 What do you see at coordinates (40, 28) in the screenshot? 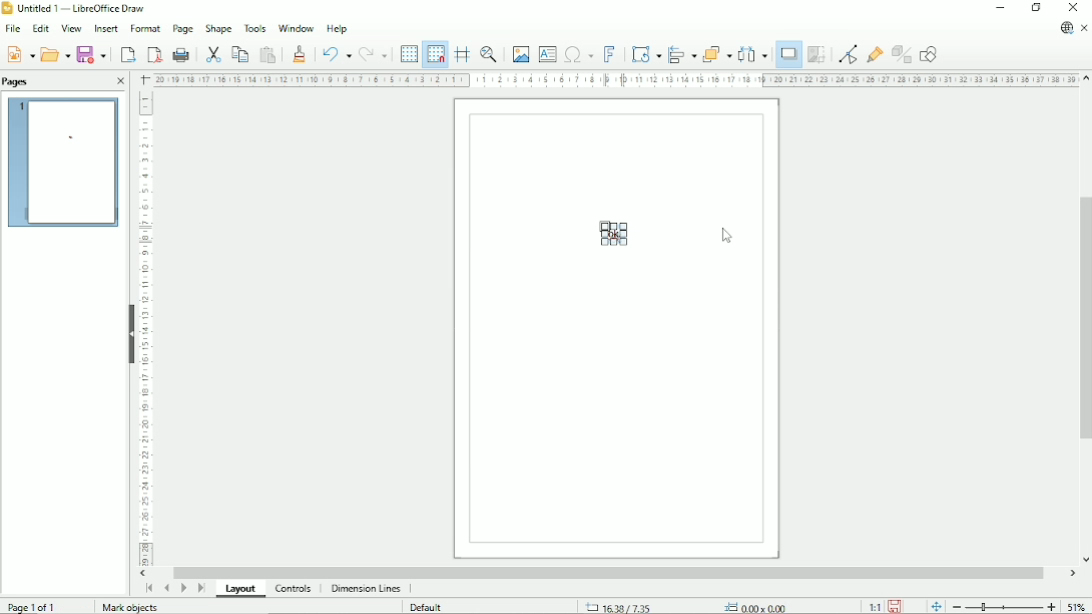
I see `Edit` at bounding box center [40, 28].